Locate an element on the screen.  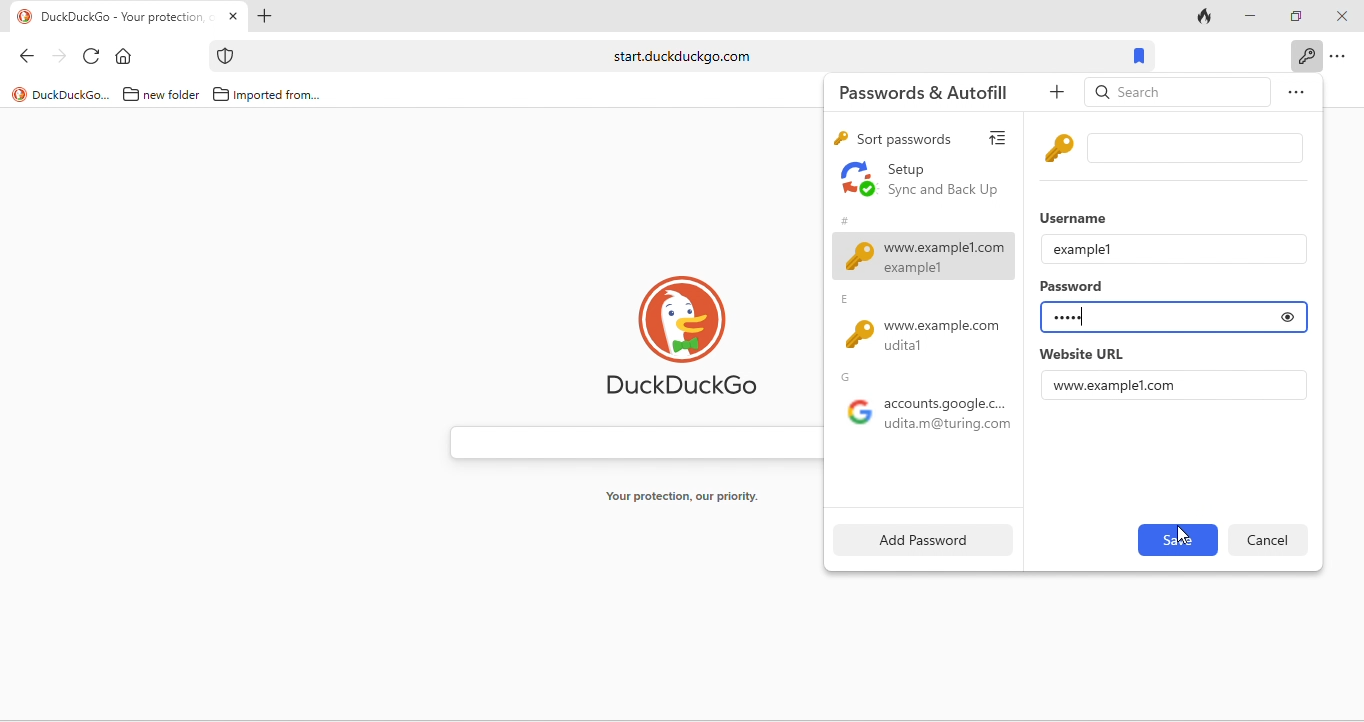
example1 is located at coordinates (1083, 248).